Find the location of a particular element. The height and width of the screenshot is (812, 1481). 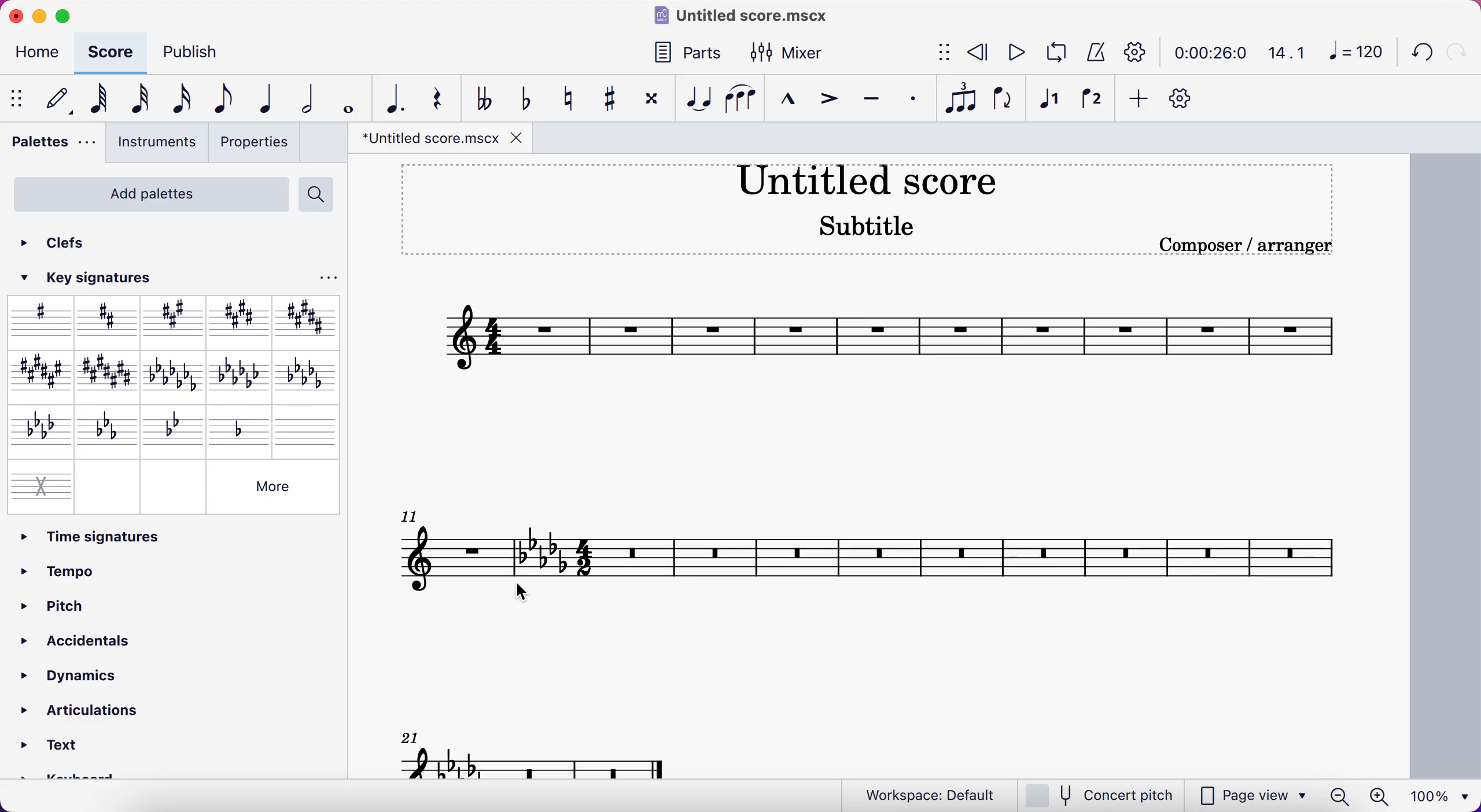

32nd note is located at coordinates (145, 97).